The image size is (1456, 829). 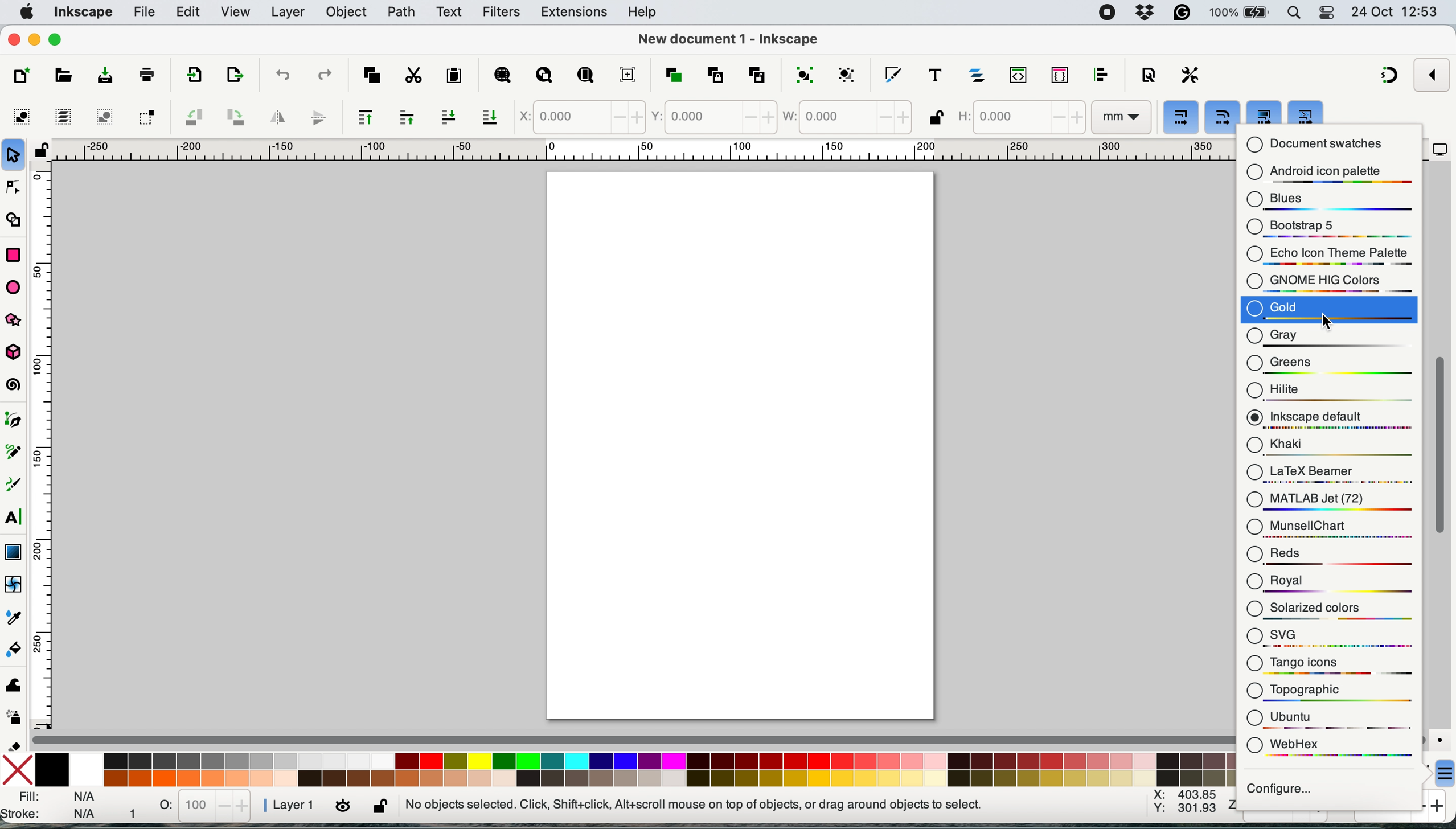 What do you see at coordinates (379, 807) in the screenshot?
I see `lock or unlock current layer` at bounding box center [379, 807].